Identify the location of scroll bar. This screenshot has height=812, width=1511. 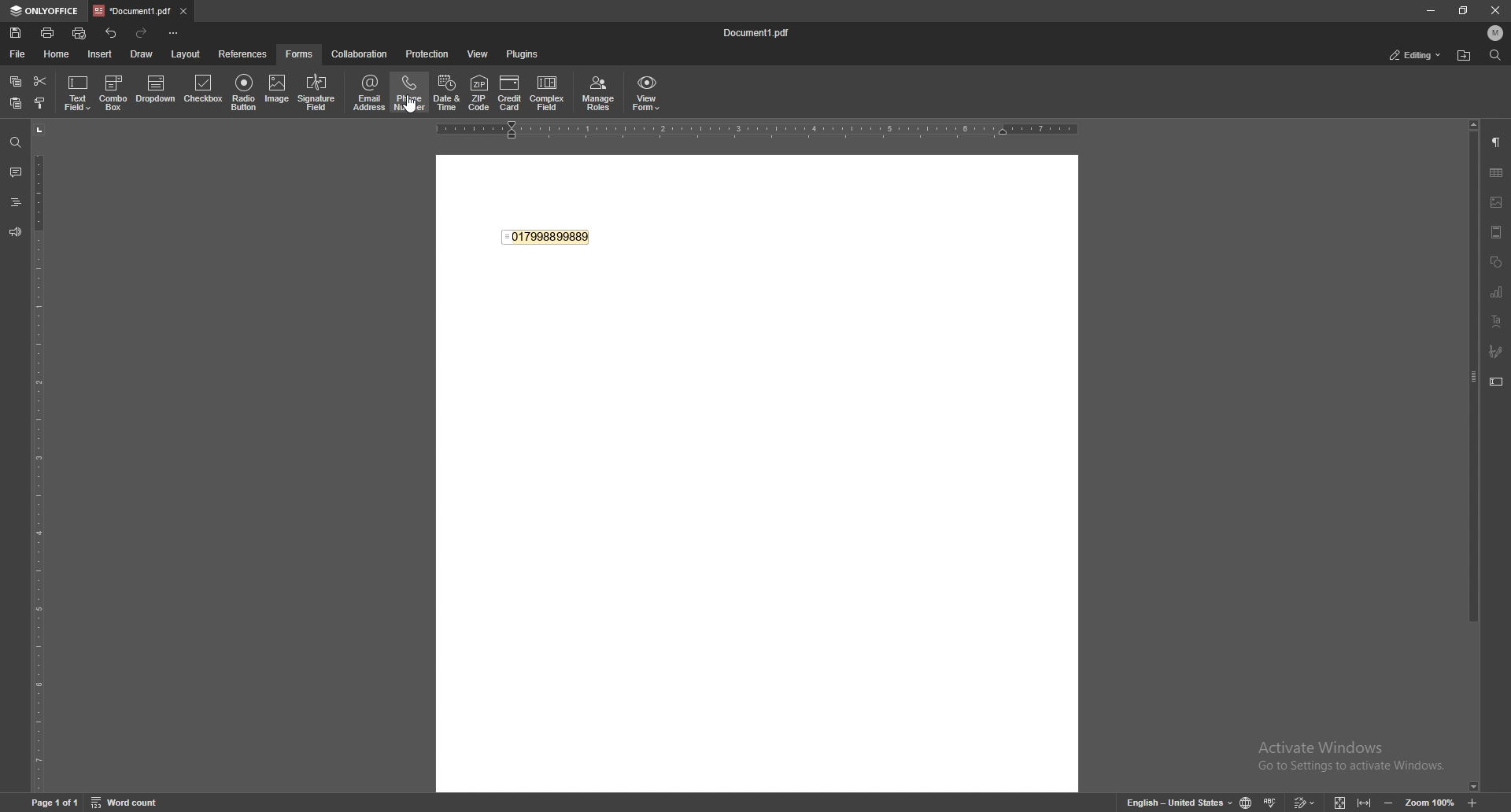
(1472, 457).